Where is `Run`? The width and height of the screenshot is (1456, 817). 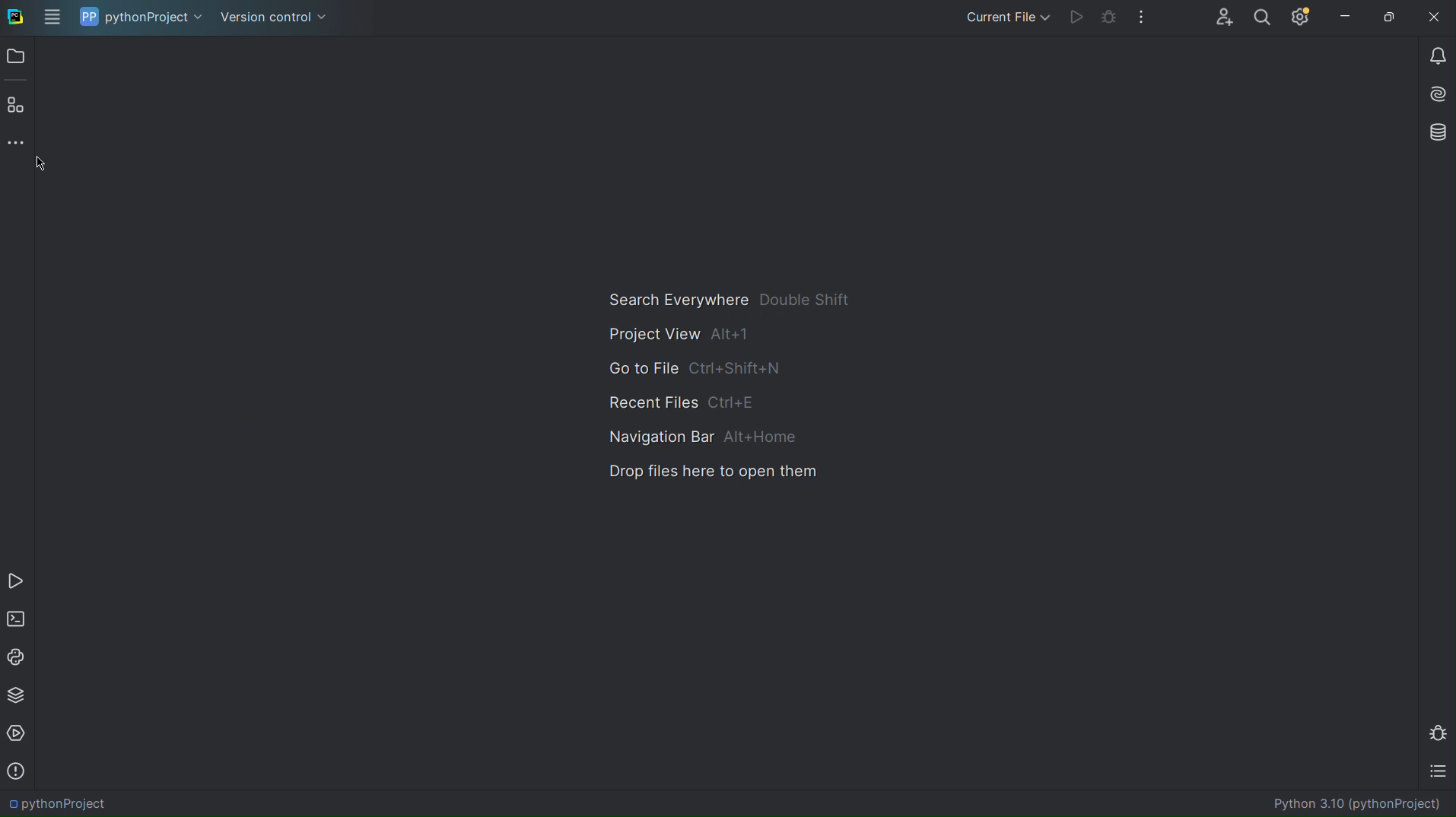
Run is located at coordinates (17, 580).